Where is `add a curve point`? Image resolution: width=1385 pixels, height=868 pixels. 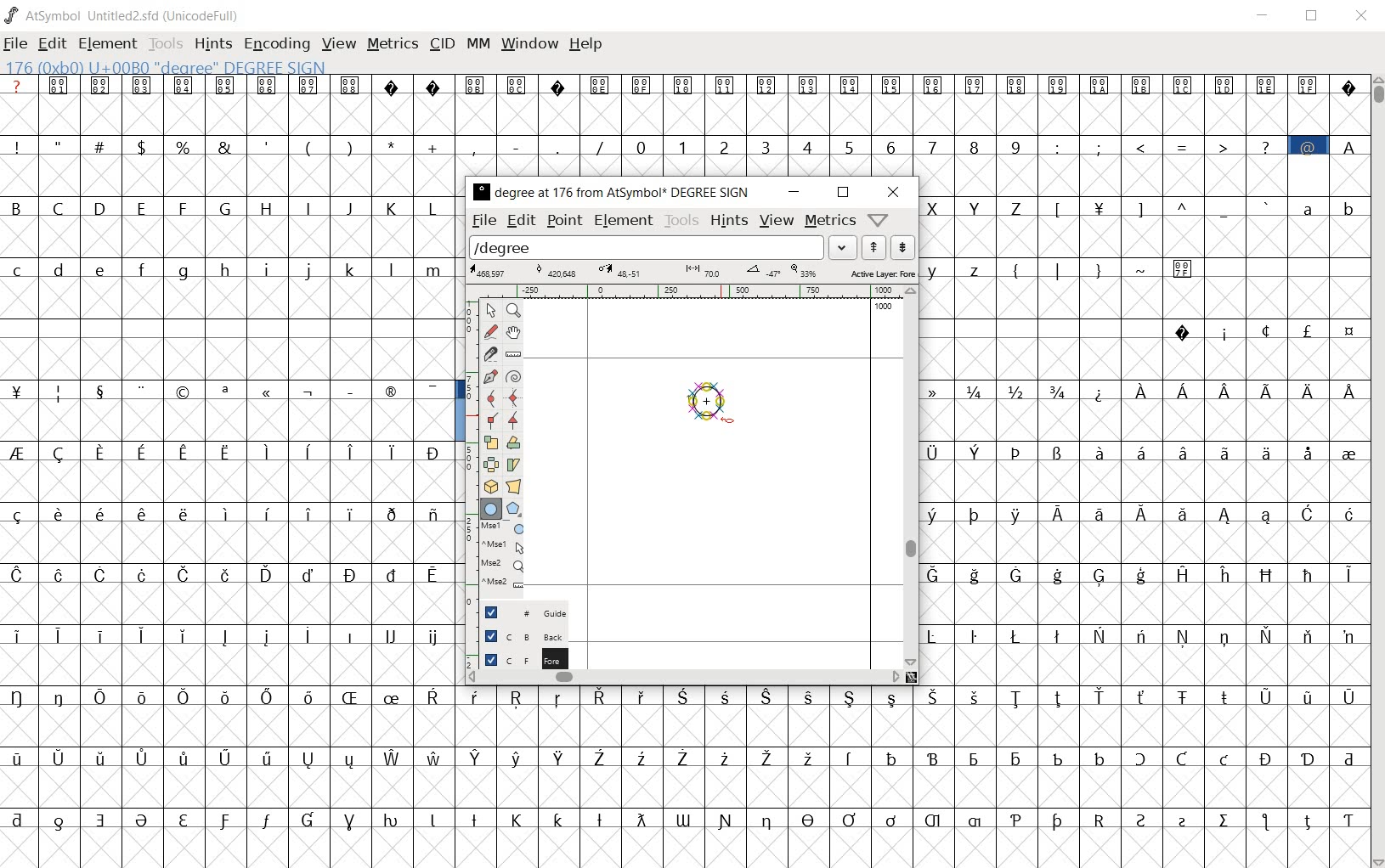
add a curve point is located at coordinates (491, 398).